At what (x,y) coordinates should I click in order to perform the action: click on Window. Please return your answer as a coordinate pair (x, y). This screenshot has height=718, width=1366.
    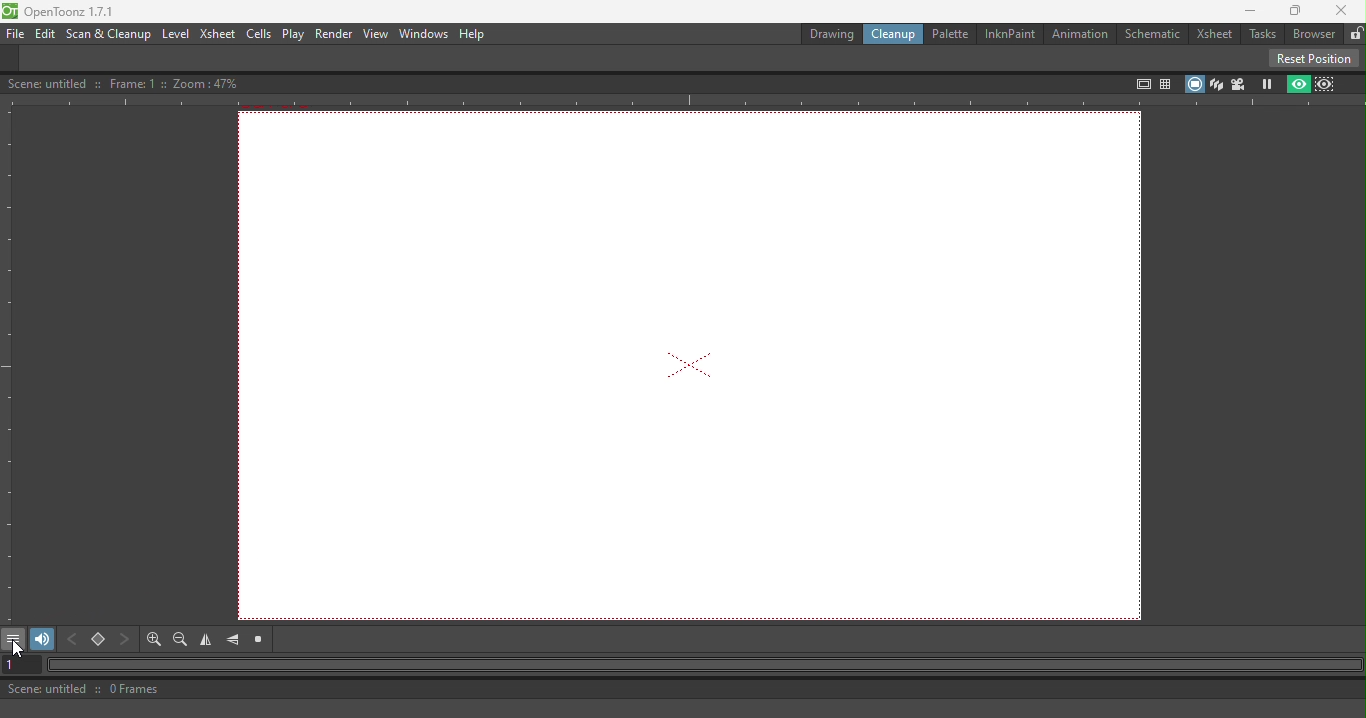
    Looking at the image, I should click on (421, 34).